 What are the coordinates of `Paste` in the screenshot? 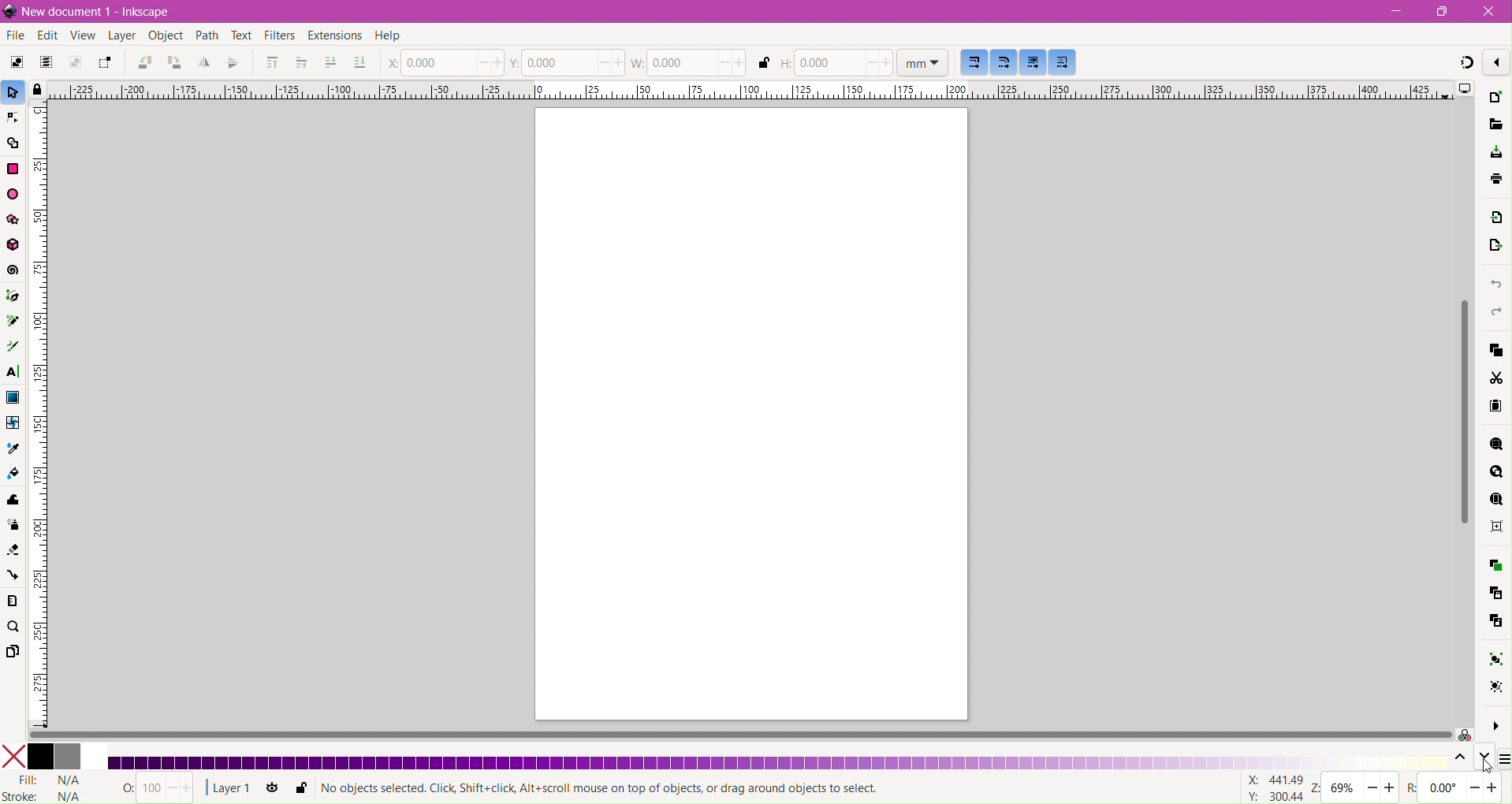 It's located at (1496, 408).